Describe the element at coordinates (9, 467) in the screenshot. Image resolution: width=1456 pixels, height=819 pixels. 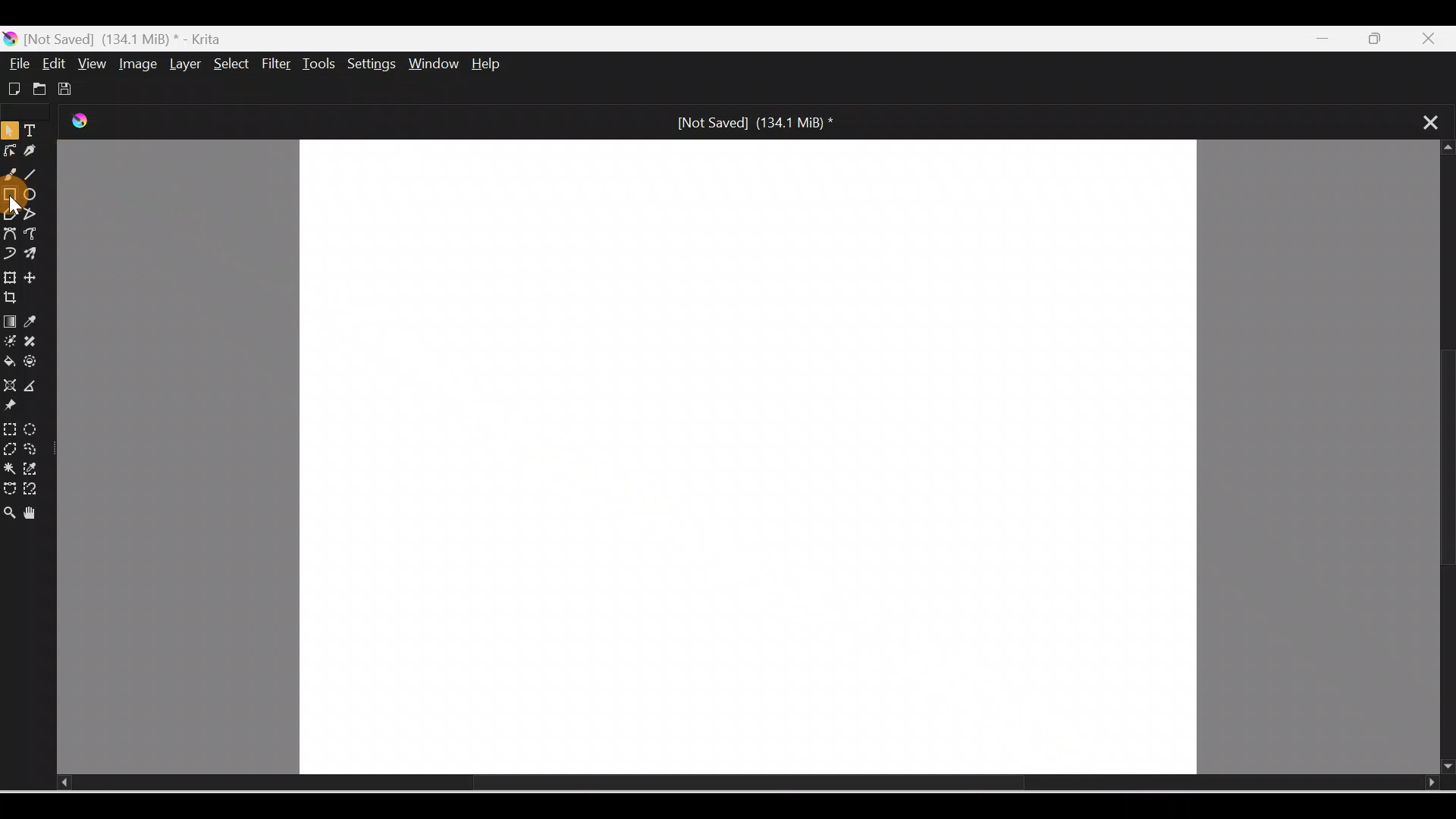
I see `Contiguous selection tool` at that location.